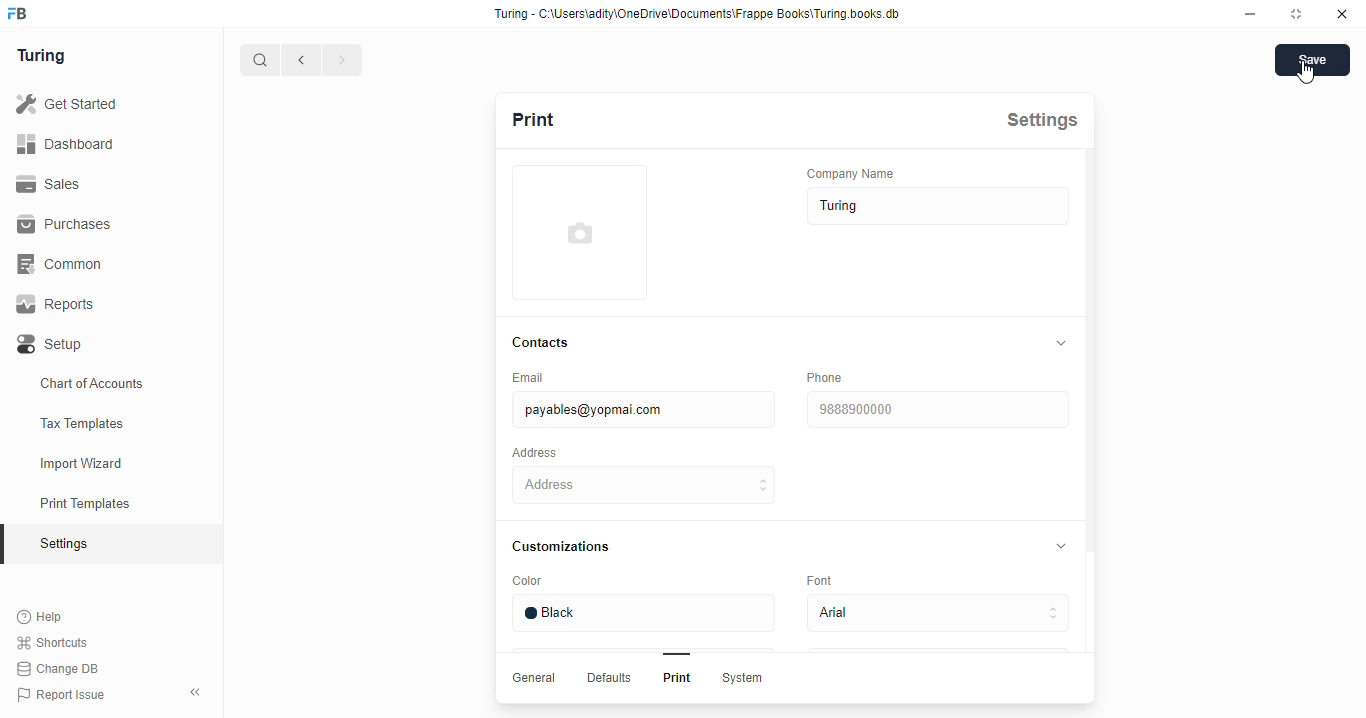 The image size is (1366, 718). I want to click on minimise, so click(1253, 14).